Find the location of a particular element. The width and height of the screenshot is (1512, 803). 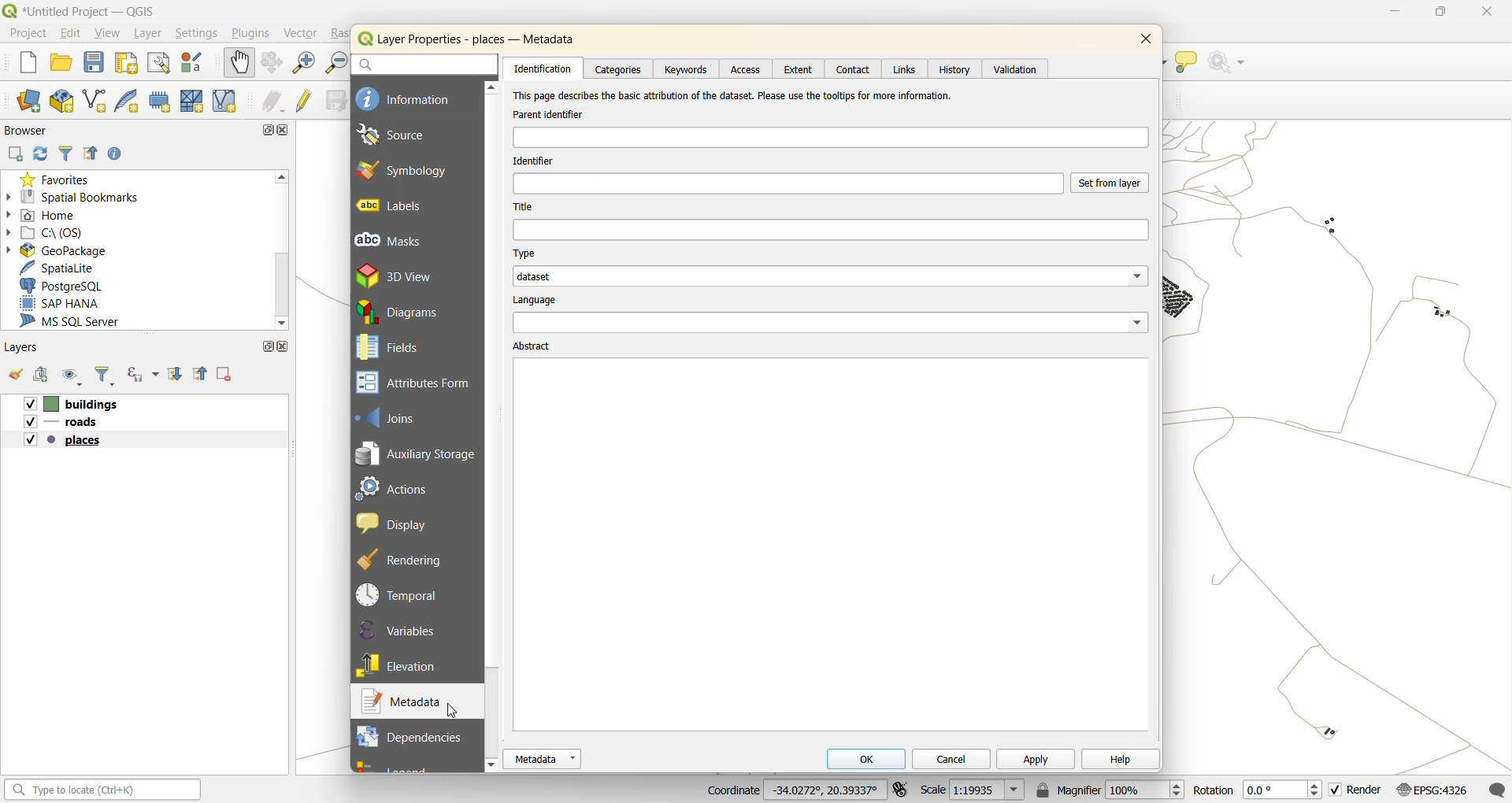

rotation is located at coordinates (1252, 789).